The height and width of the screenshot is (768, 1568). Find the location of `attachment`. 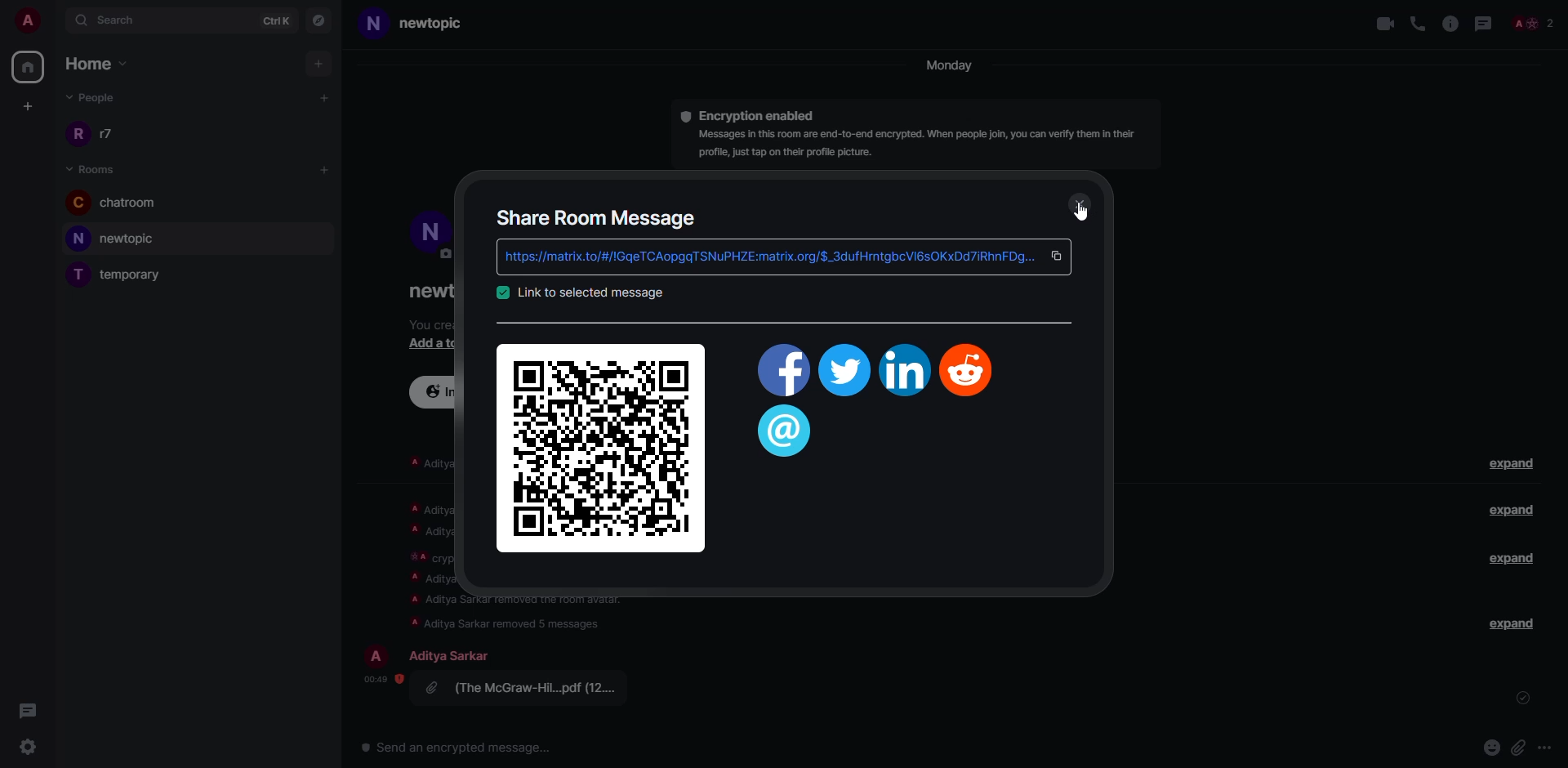

attachment is located at coordinates (528, 687).